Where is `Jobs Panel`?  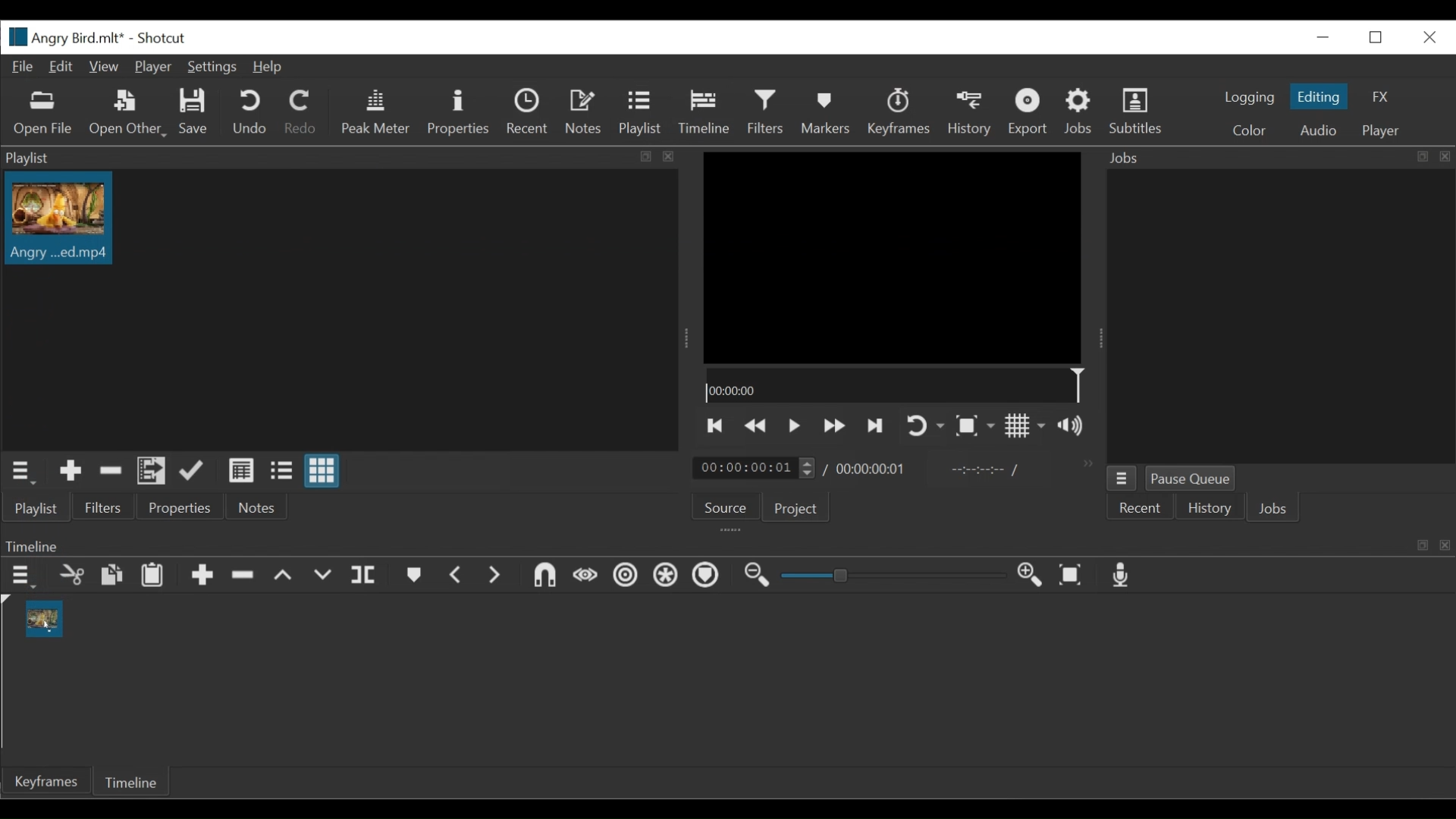 Jobs Panel is located at coordinates (1276, 313).